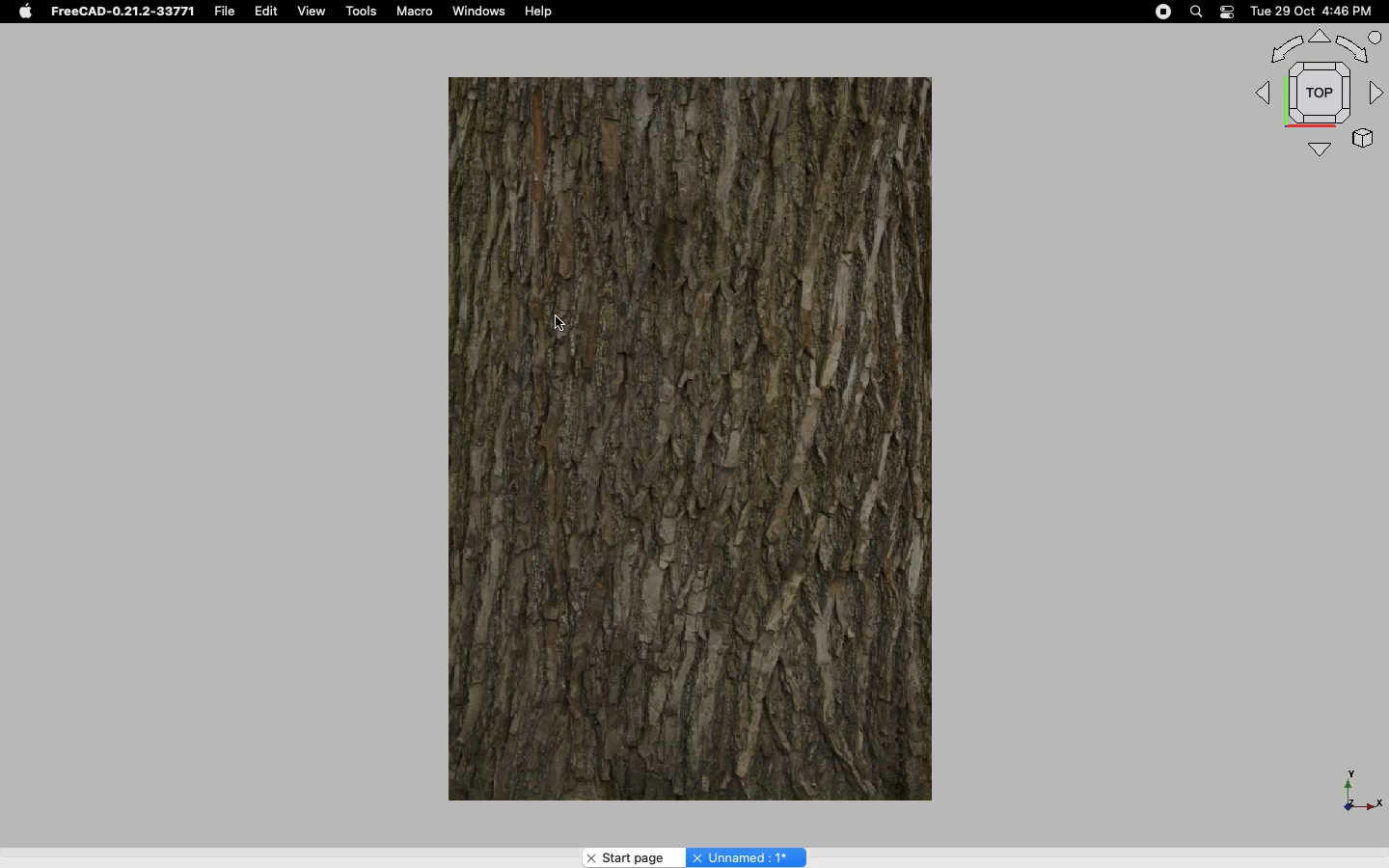  Describe the element at coordinates (540, 12) in the screenshot. I see `Help` at that location.